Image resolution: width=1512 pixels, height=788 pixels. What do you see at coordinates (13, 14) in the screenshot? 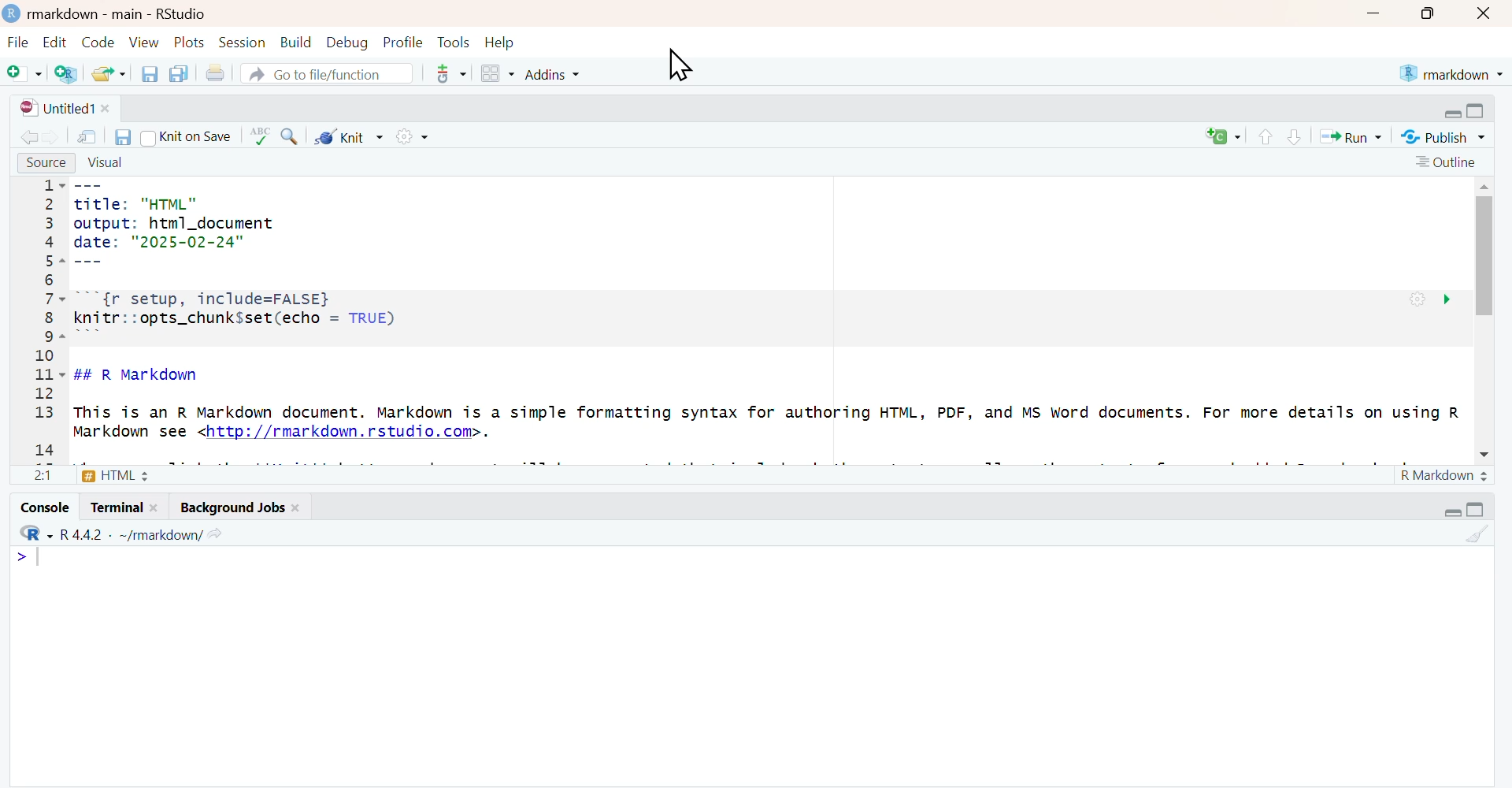
I see `Logo` at bounding box center [13, 14].